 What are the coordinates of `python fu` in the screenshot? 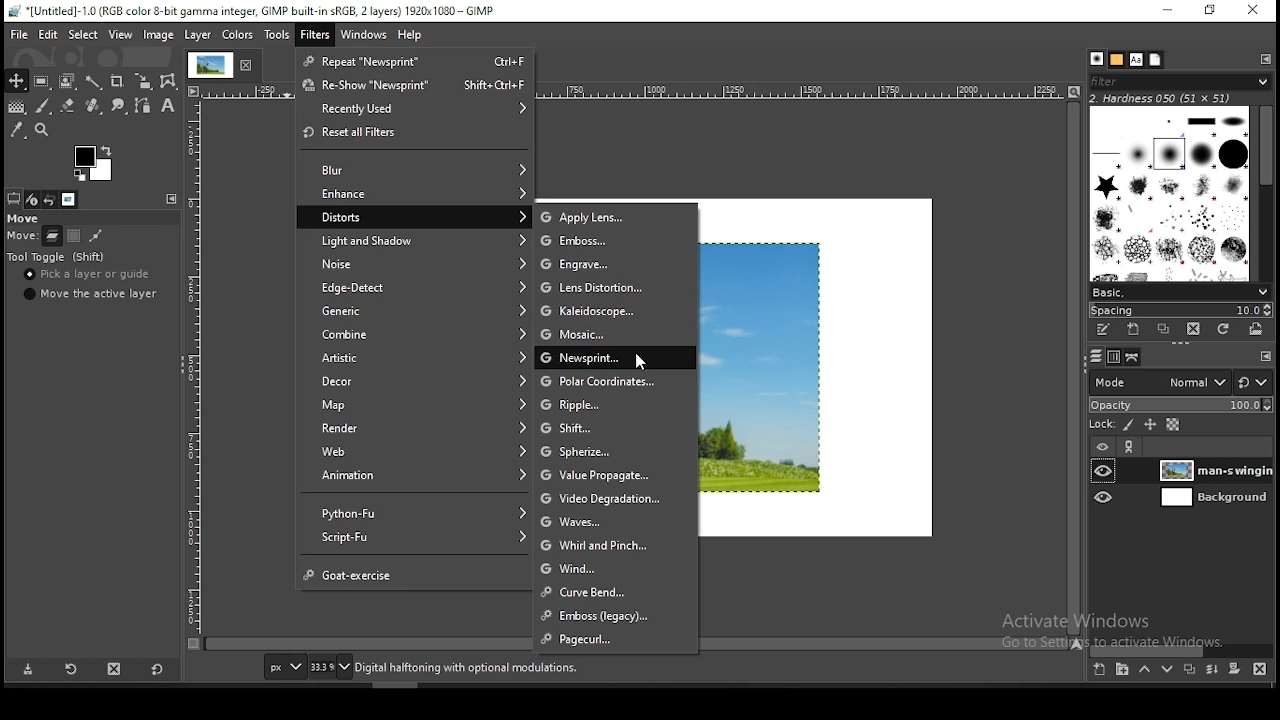 It's located at (415, 510).